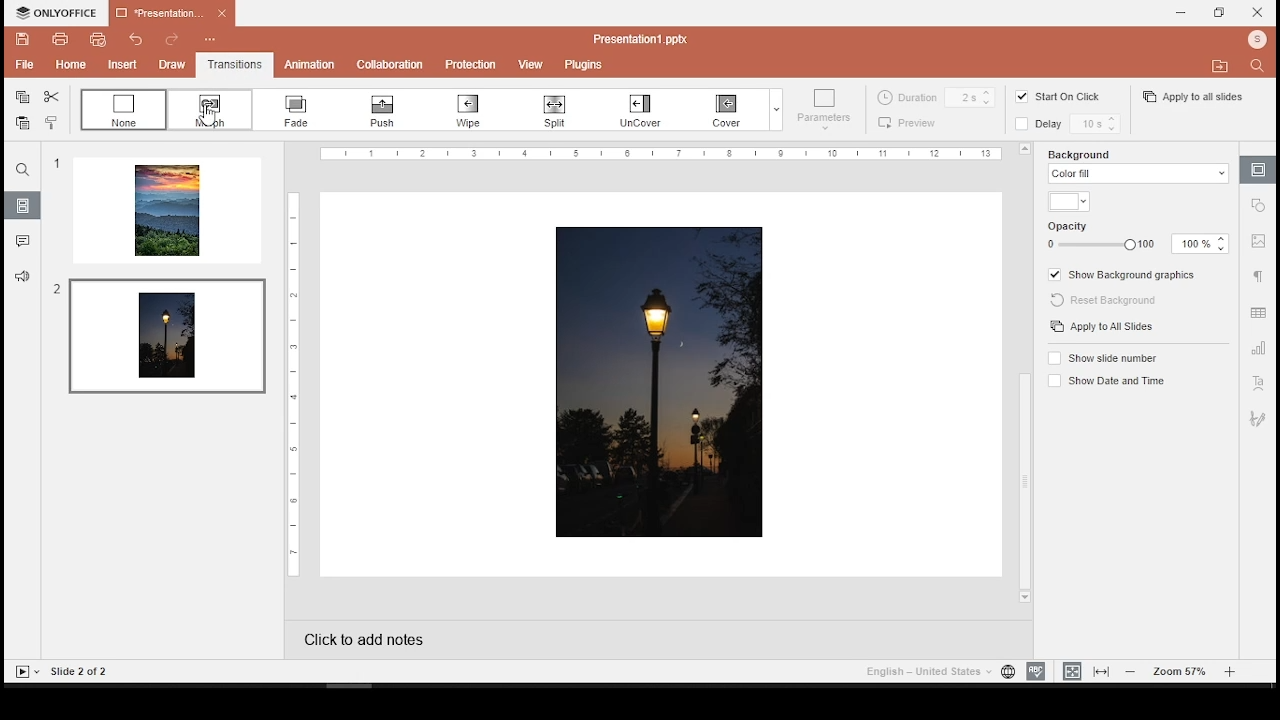 This screenshot has height=720, width=1280. I want to click on insert, so click(116, 65).